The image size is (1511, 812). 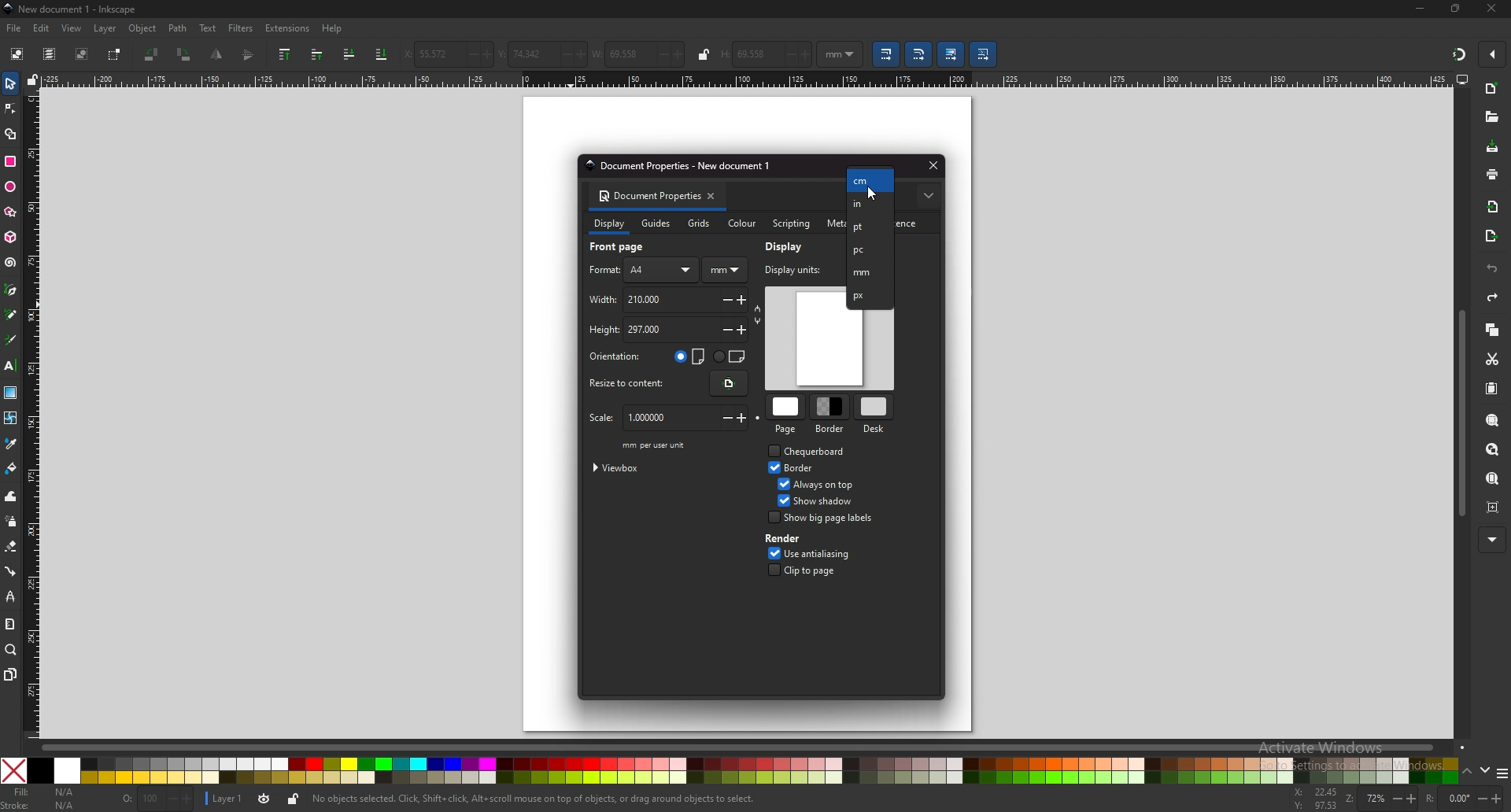 What do you see at coordinates (790, 539) in the screenshot?
I see `render` at bounding box center [790, 539].